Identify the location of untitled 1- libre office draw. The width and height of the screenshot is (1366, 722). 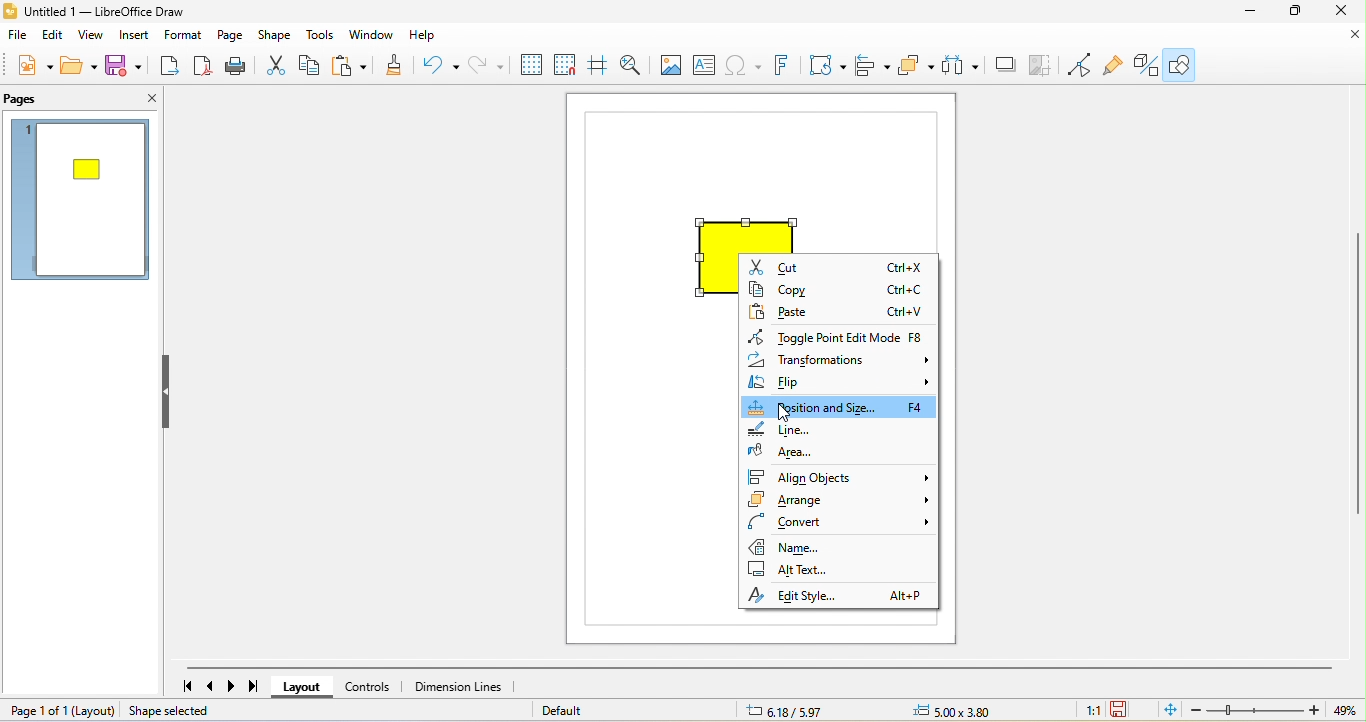
(120, 11).